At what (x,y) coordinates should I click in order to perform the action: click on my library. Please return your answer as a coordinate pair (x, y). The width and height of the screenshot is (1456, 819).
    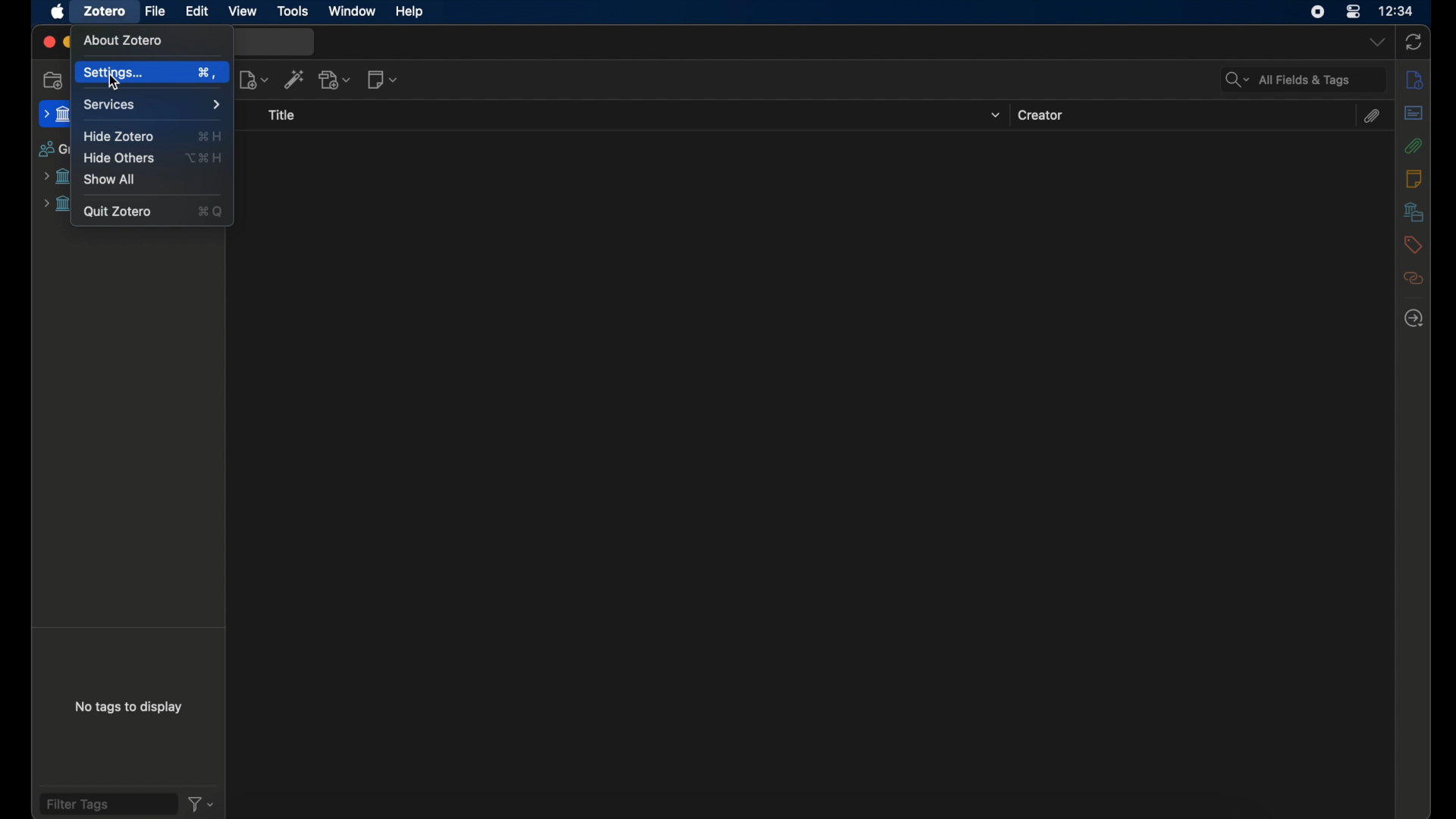
    Looking at the image, I should click on (55, 115).